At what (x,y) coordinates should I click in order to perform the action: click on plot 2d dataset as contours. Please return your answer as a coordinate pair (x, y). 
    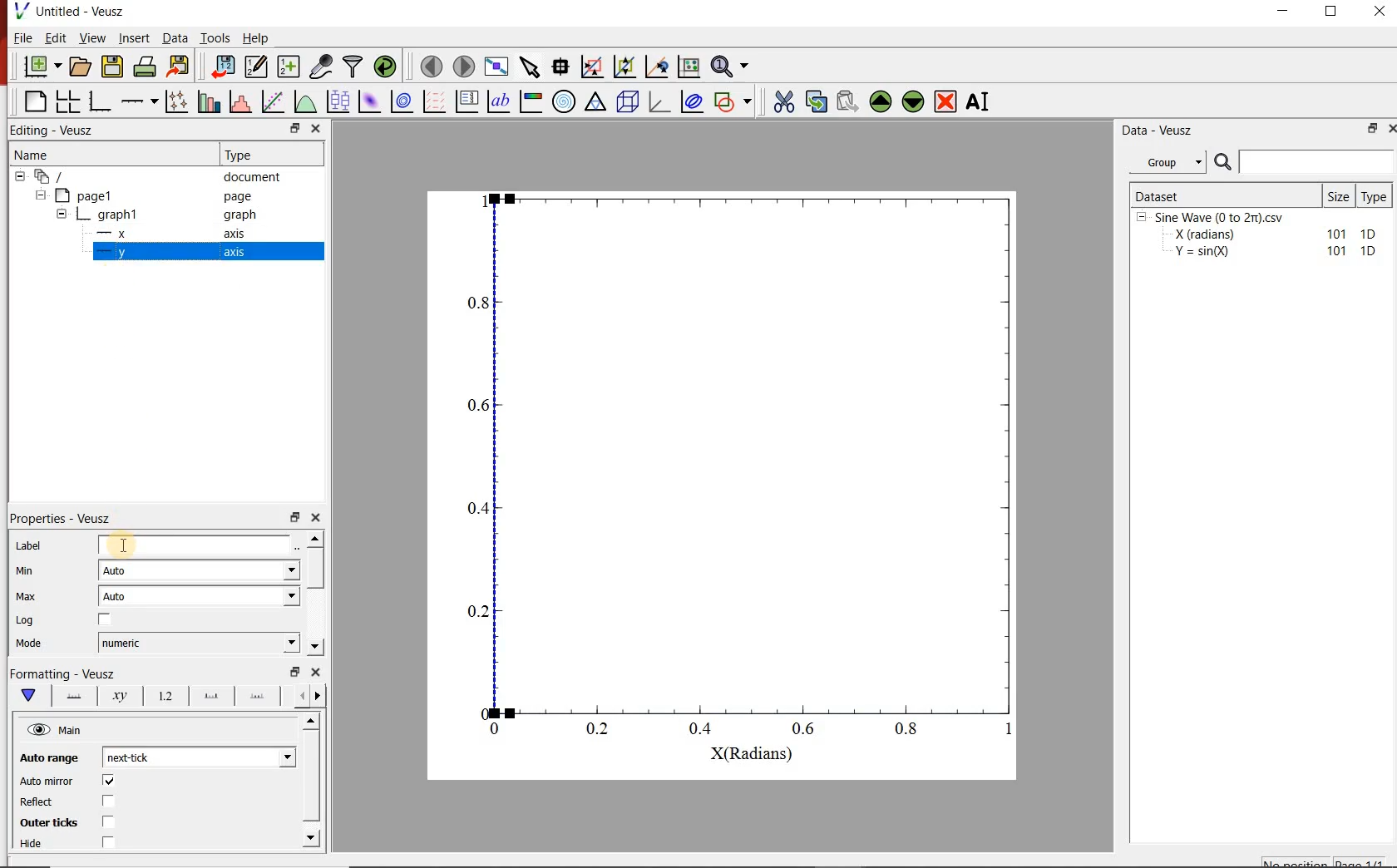
    Looking at the image, I should click on (402, 101).